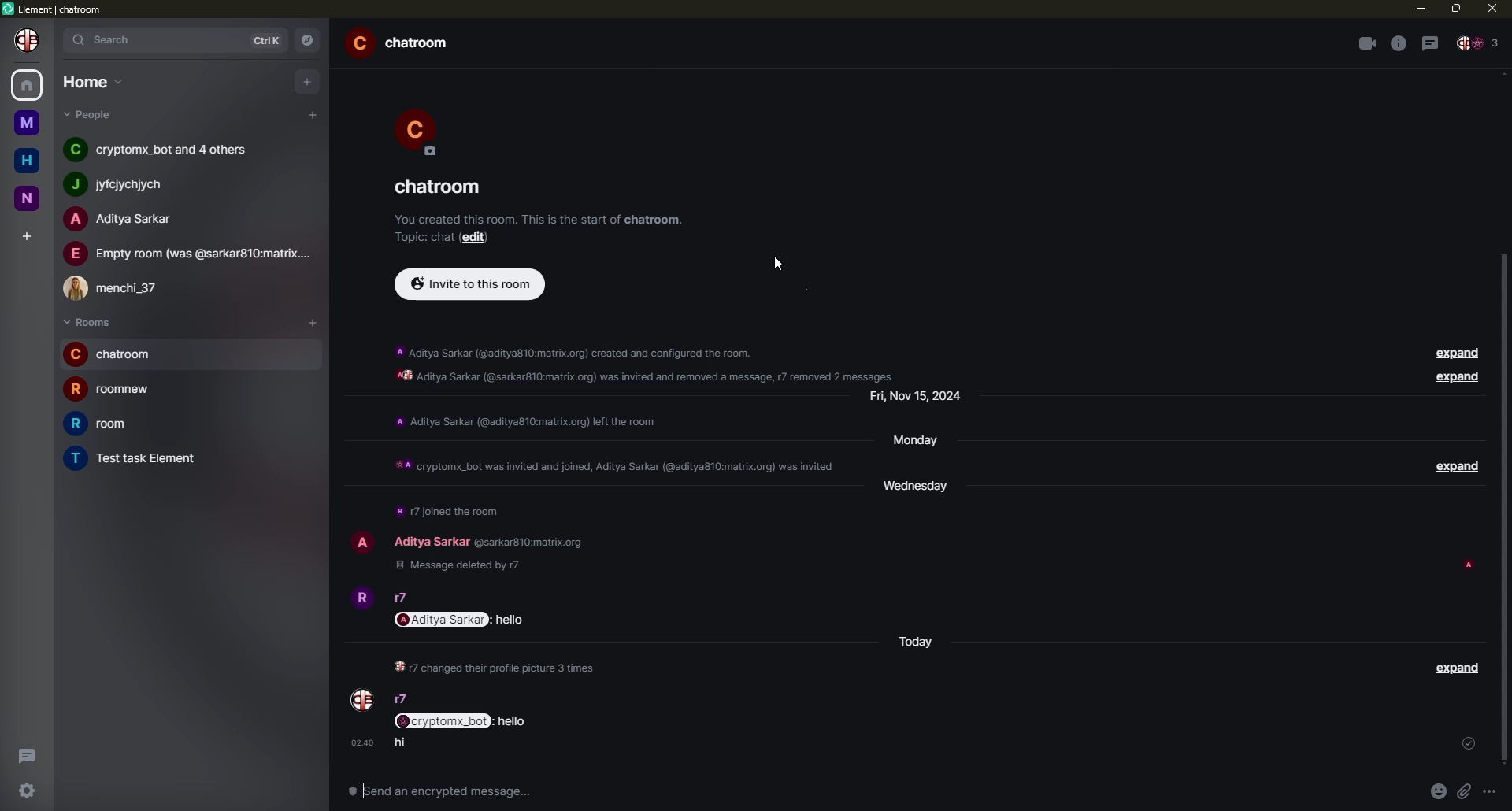  I want to click on home, so click(91, 80).